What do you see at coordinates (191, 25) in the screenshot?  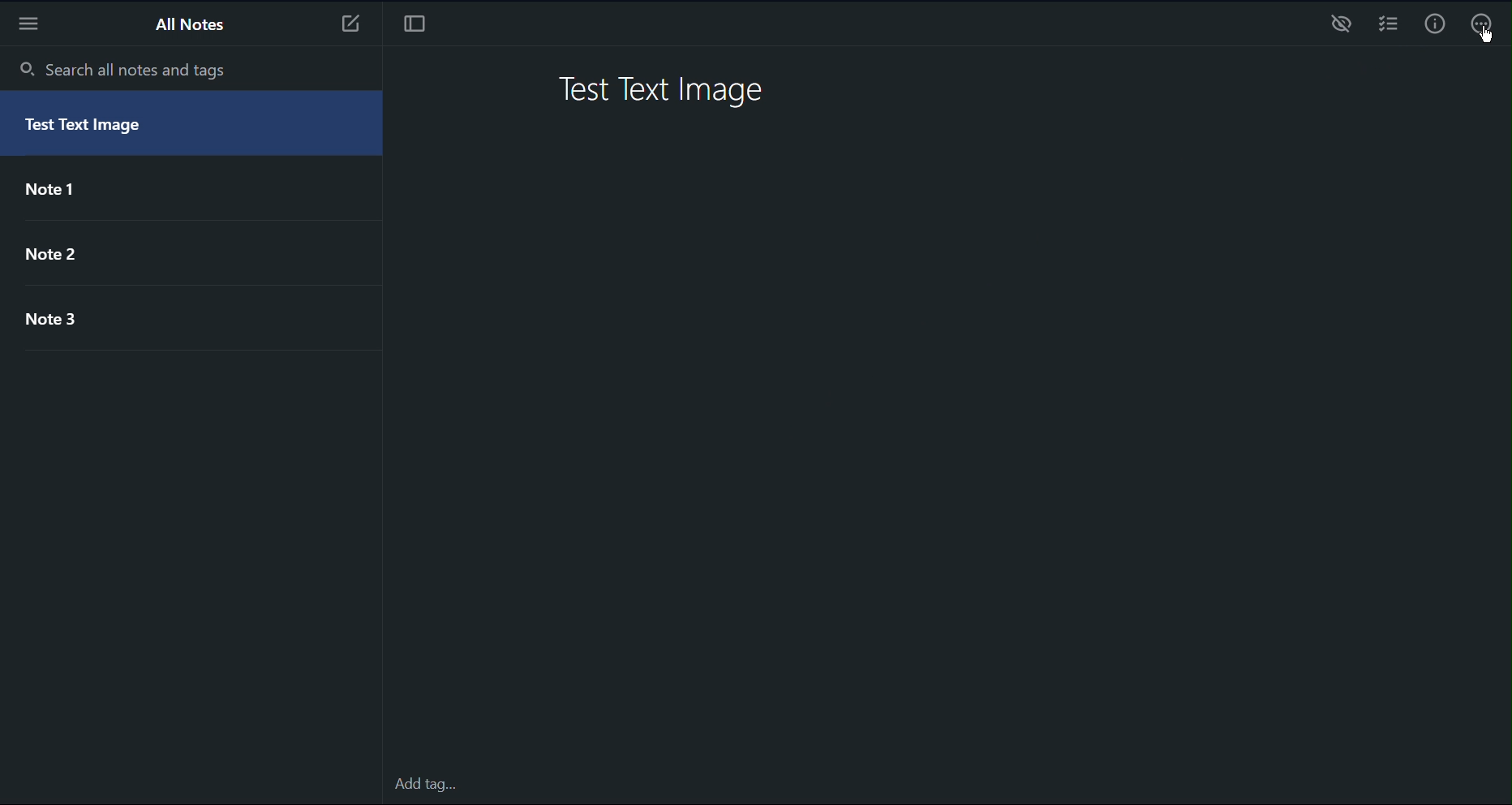 I see `All Notes` at bounding box center [191, 25].